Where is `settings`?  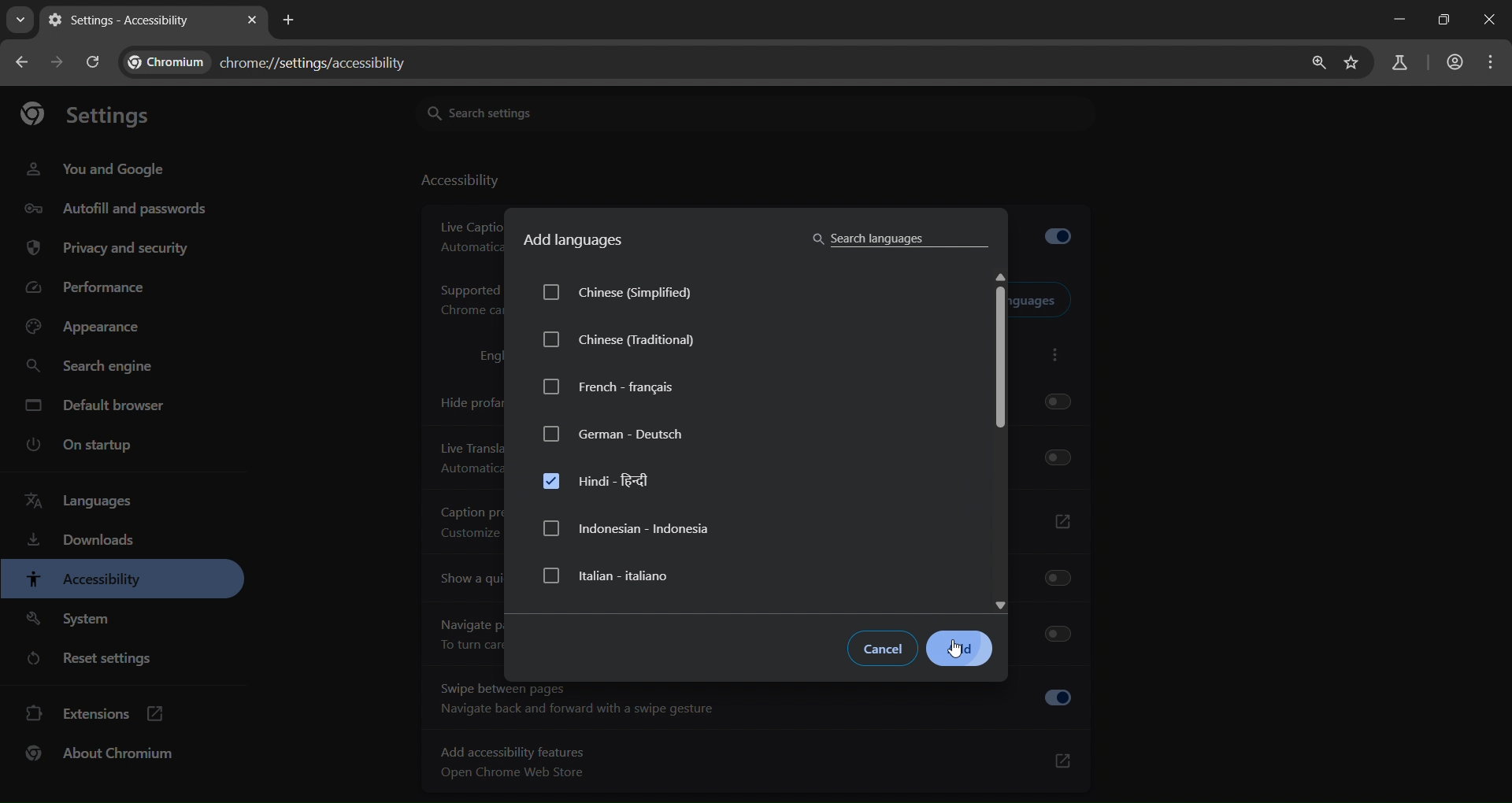 settings is located at coordinates (95, 115).